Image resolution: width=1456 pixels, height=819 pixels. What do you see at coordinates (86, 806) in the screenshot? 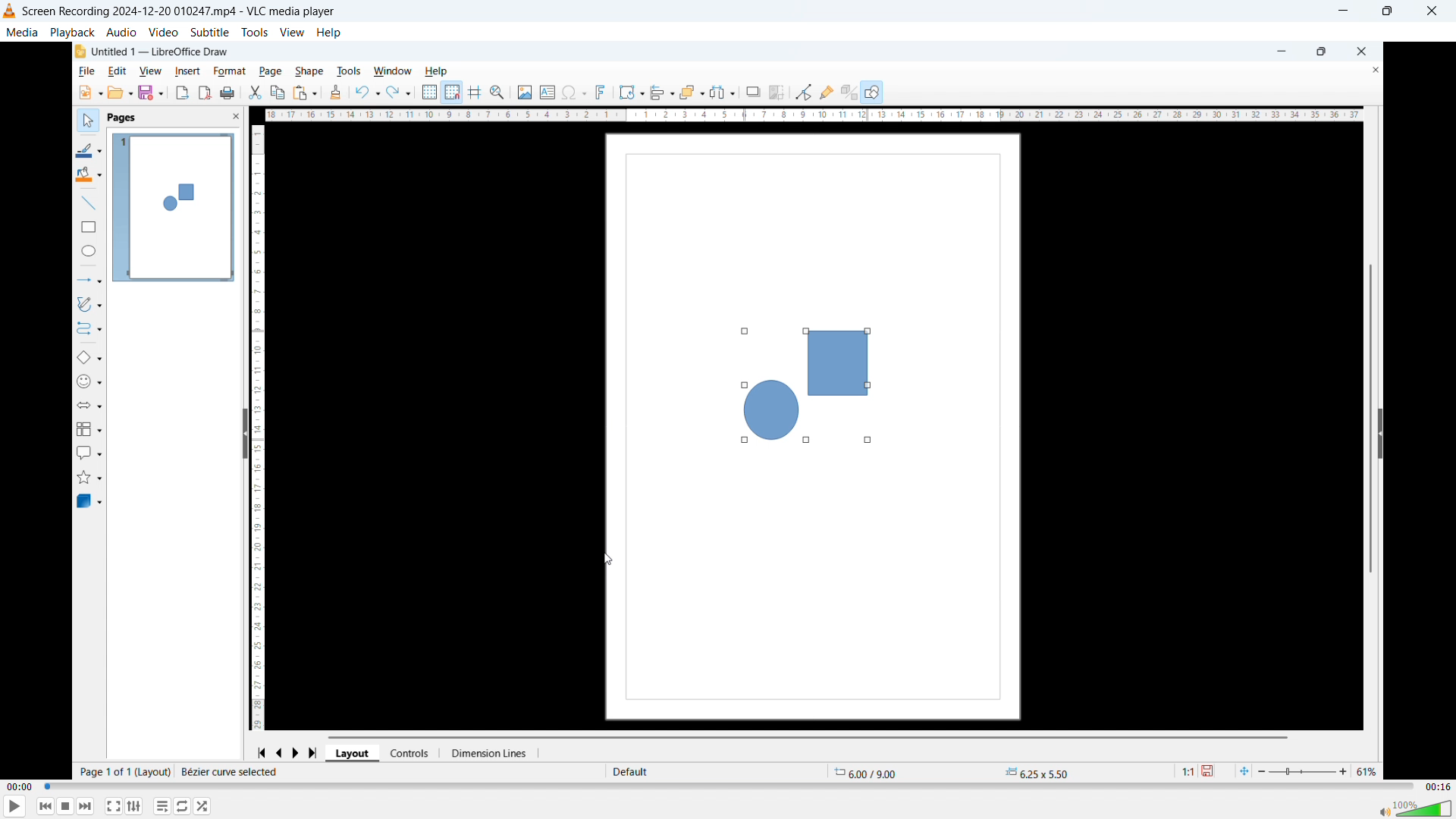
I see `forward or next media ` at bounding box center [86, 806].